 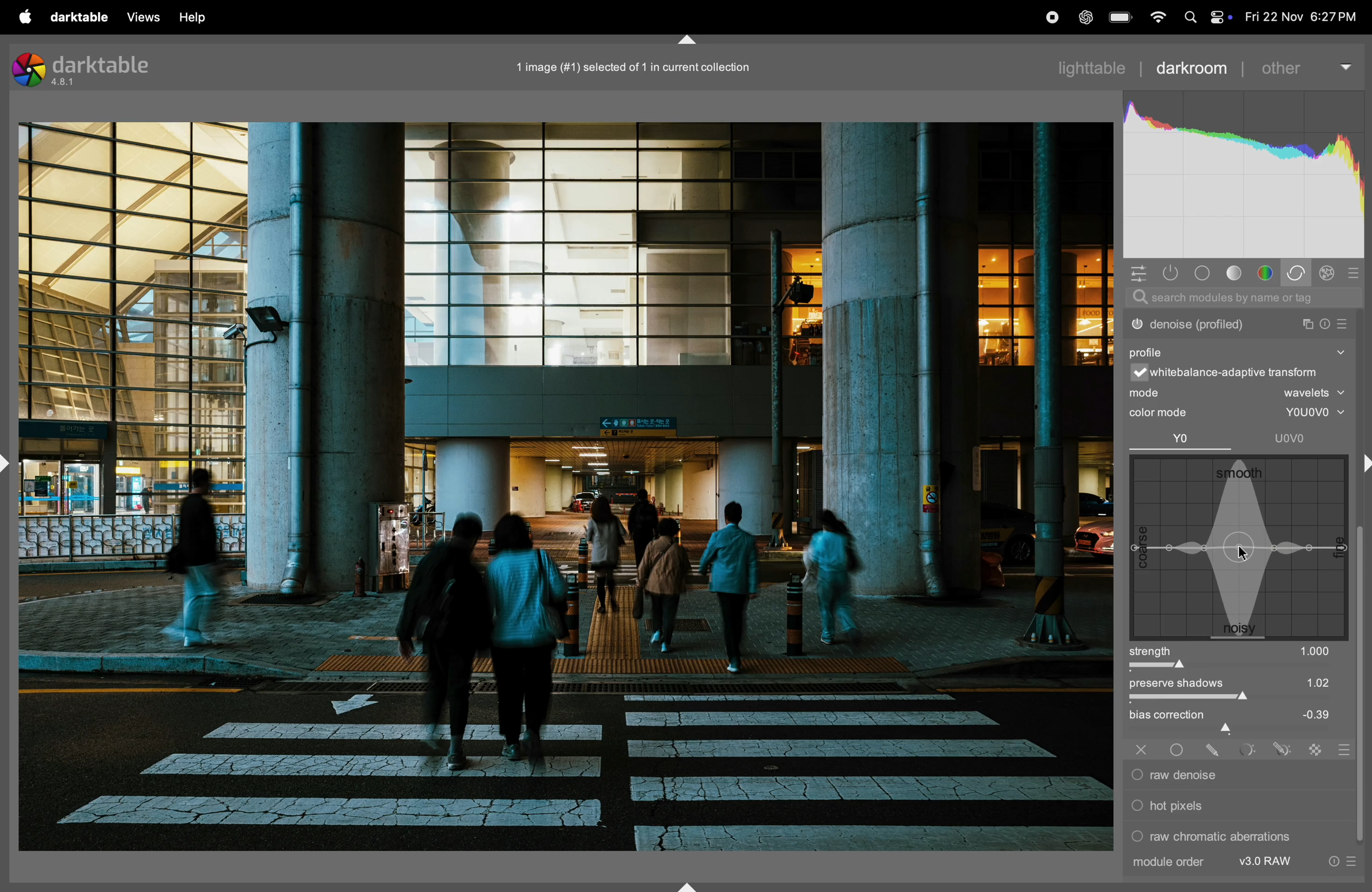 What do you see at coordinates (1179, 750) in the screenshot?
I see `uniformly` at bounding box center [1179, 750].